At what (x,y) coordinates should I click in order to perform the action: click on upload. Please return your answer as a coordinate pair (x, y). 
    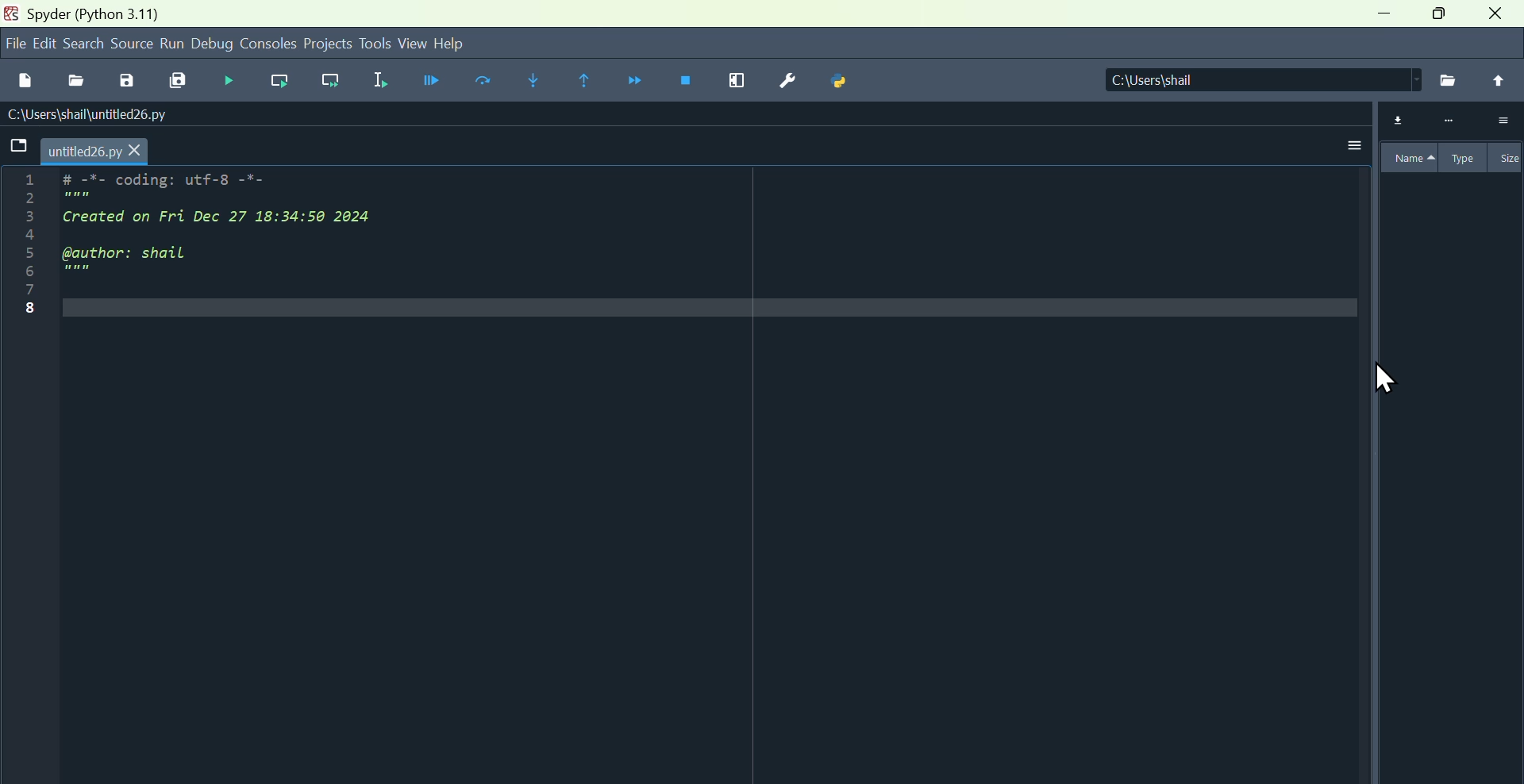
    Looking at the image, I should click on (1499, 80).